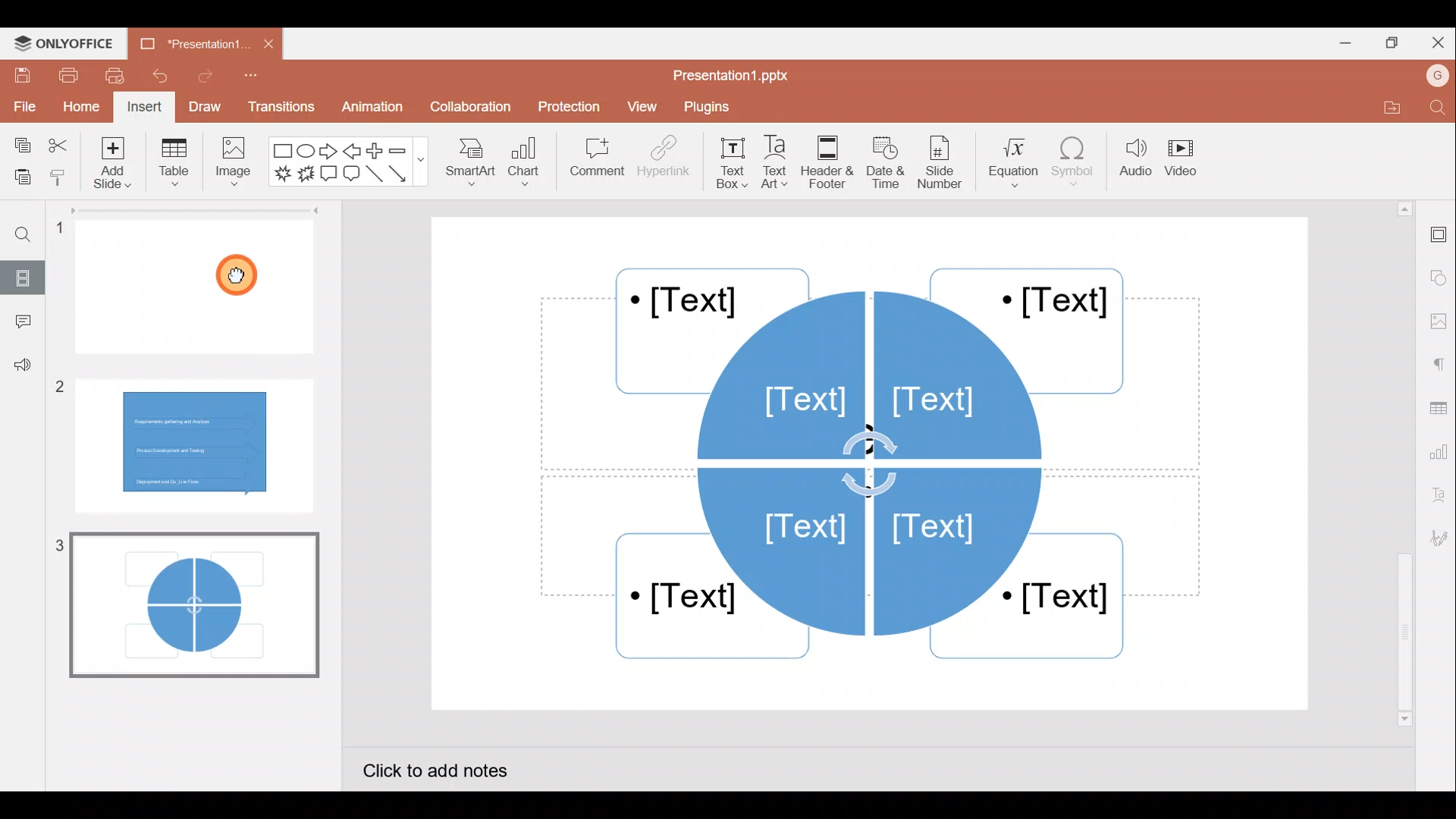 This screenshot has width=1456, height=819. Describe the element at coordinates (642, 108) in the screenshot. I see `View` at that location.